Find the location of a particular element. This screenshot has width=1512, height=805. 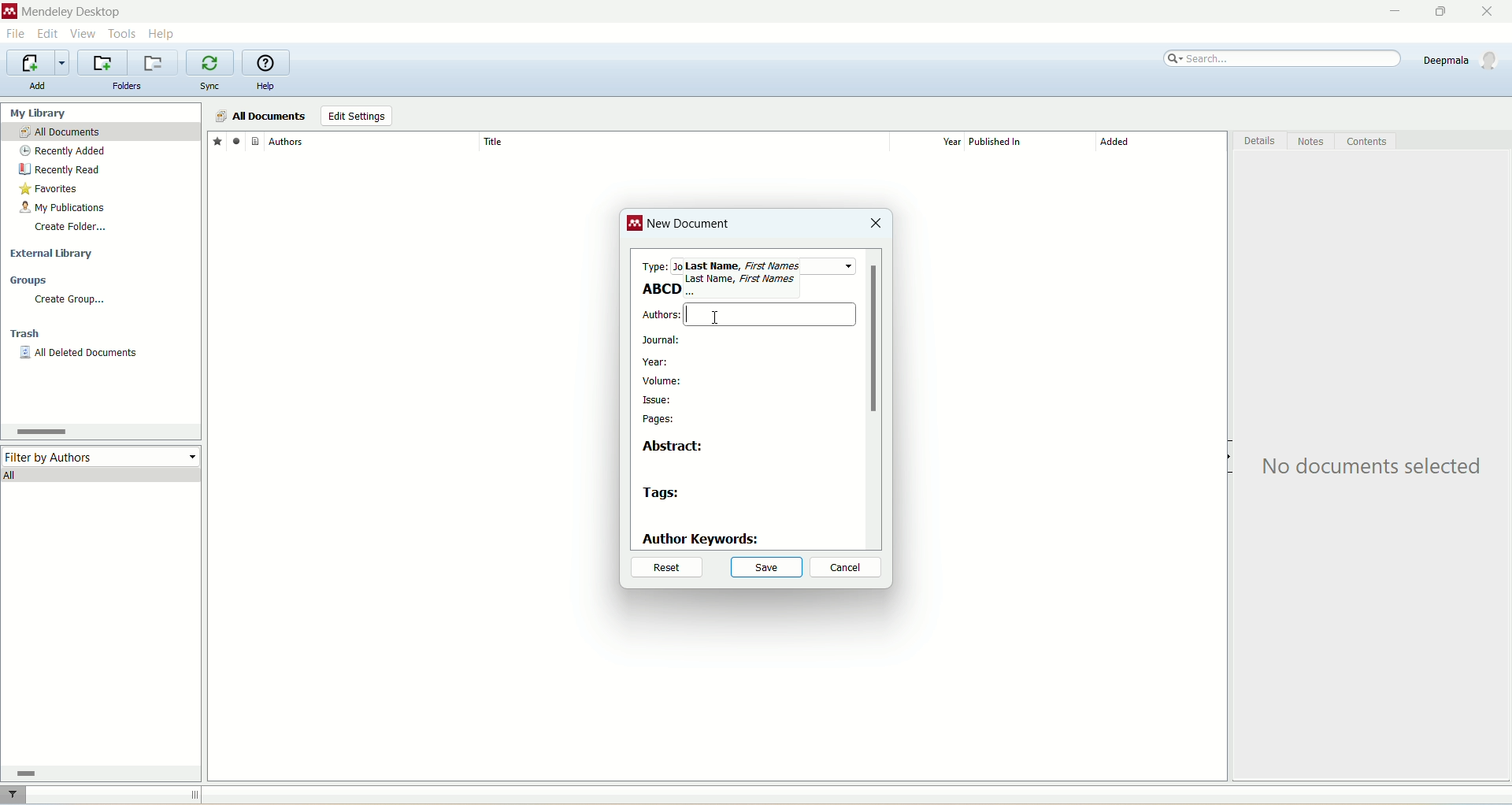

online help guide for mendeley is located at coordinates (267, 63).